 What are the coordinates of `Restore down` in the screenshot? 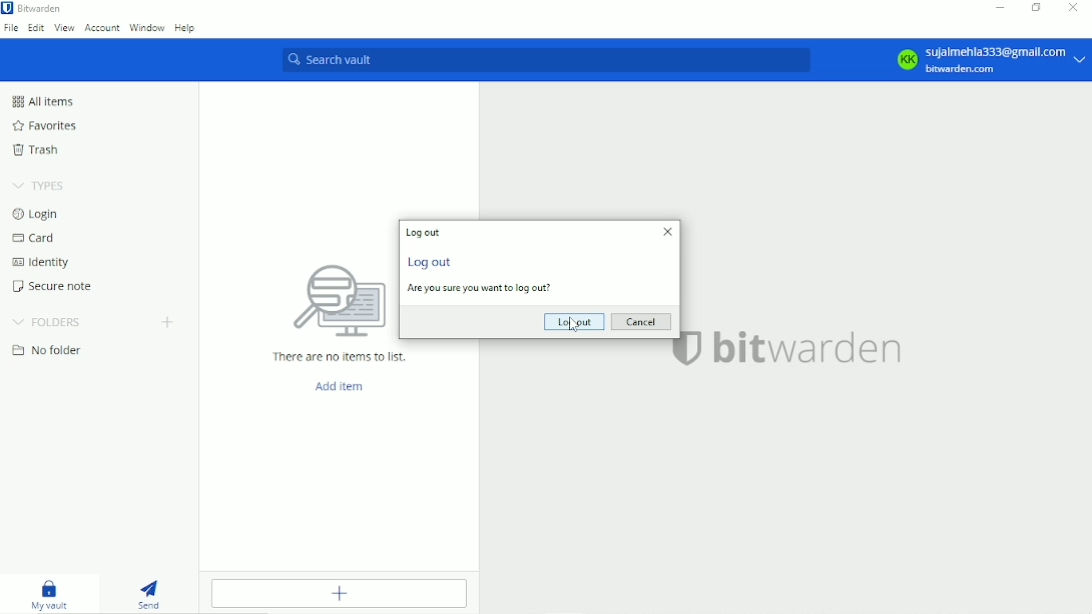 It's located at (1038, 9).